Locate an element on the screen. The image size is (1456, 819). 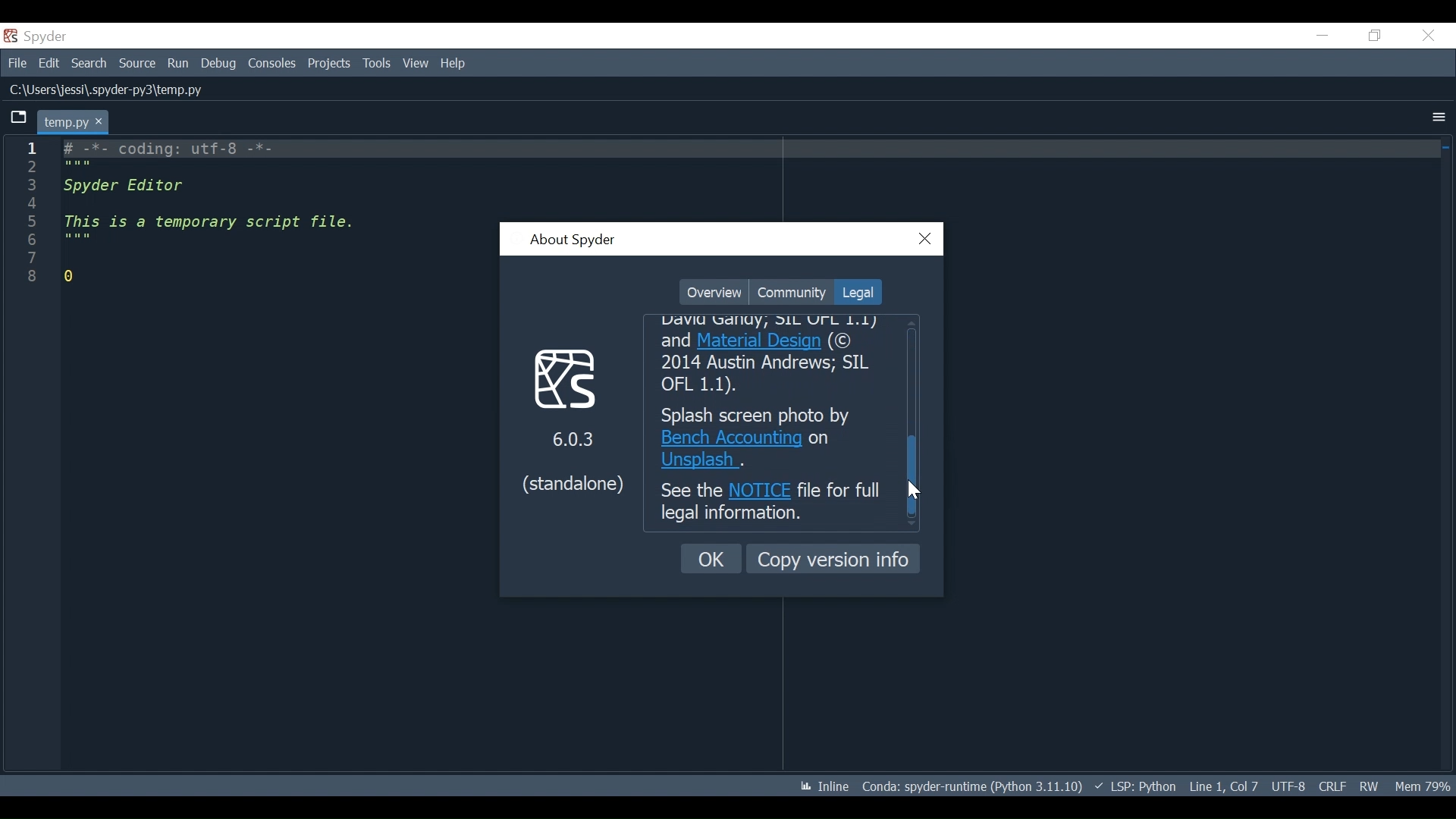
Minimize is located at coordinates (1322, 35).